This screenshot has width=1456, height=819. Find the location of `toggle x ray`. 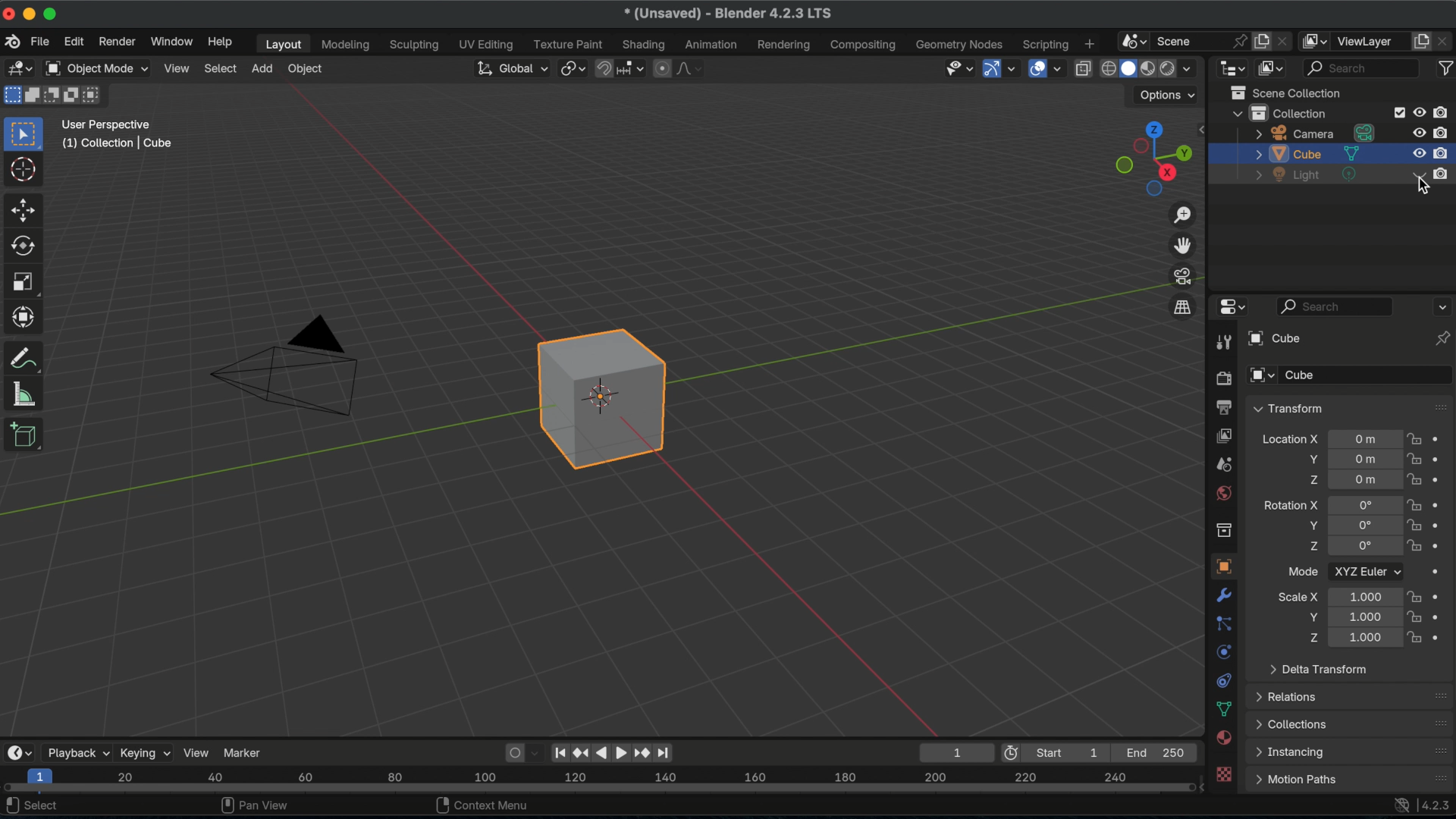

toggle x ray is located at coordinates (1082, 68).